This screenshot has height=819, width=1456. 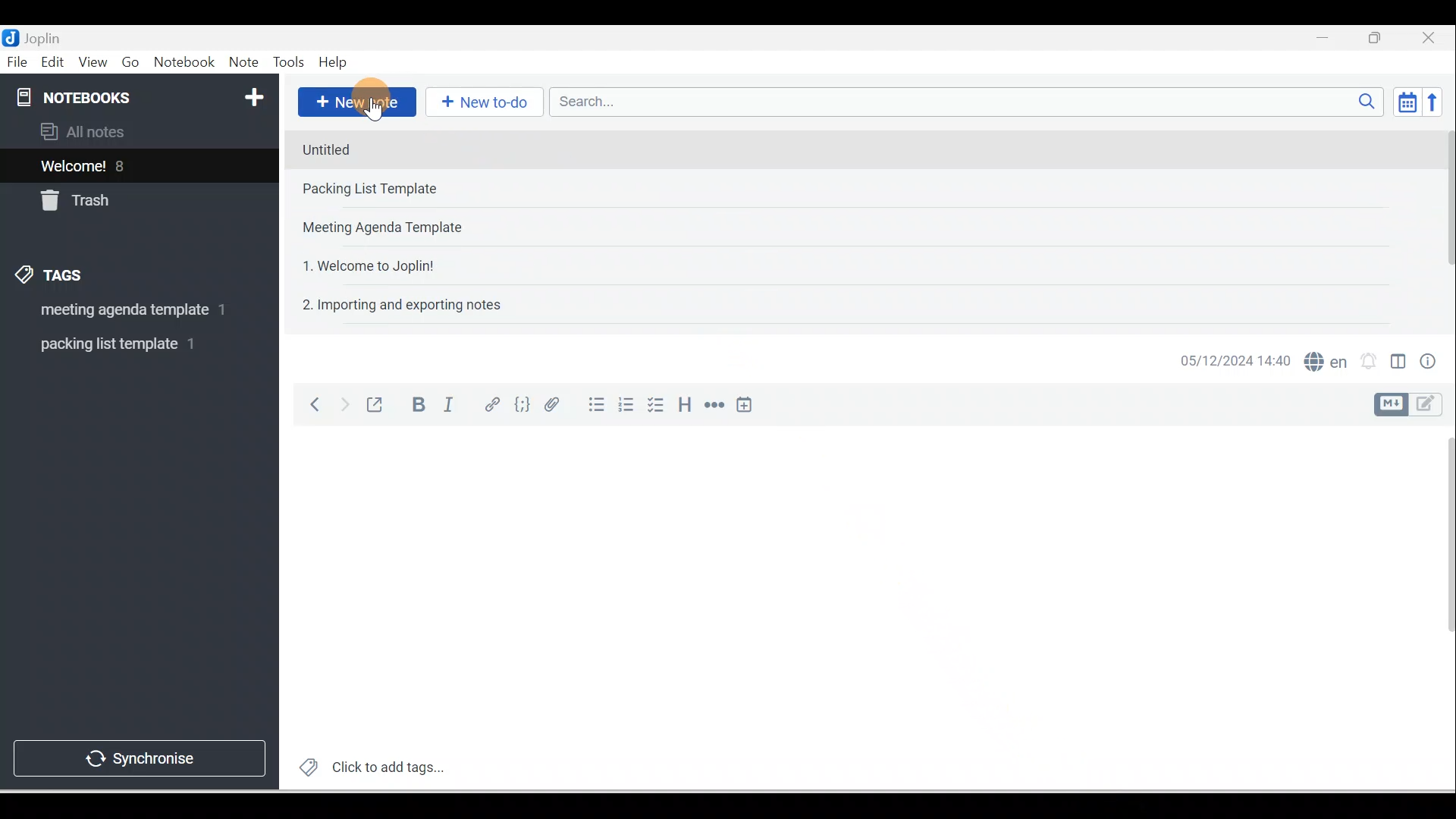 I want to click on Toggle editors, so click(x=1398, y=364).